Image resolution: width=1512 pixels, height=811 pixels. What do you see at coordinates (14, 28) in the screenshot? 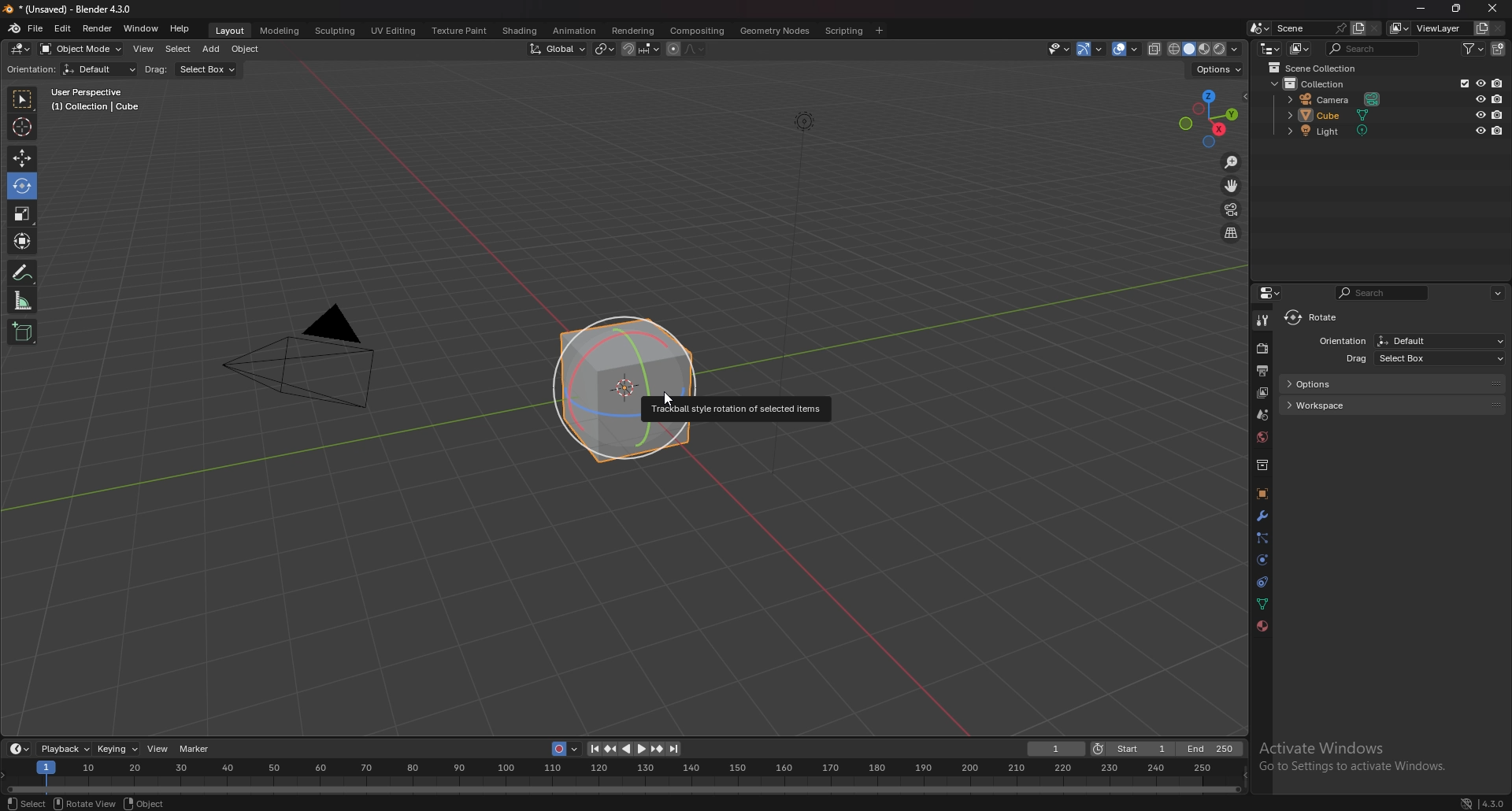
I see `blender` at bounding box center [14, 28].